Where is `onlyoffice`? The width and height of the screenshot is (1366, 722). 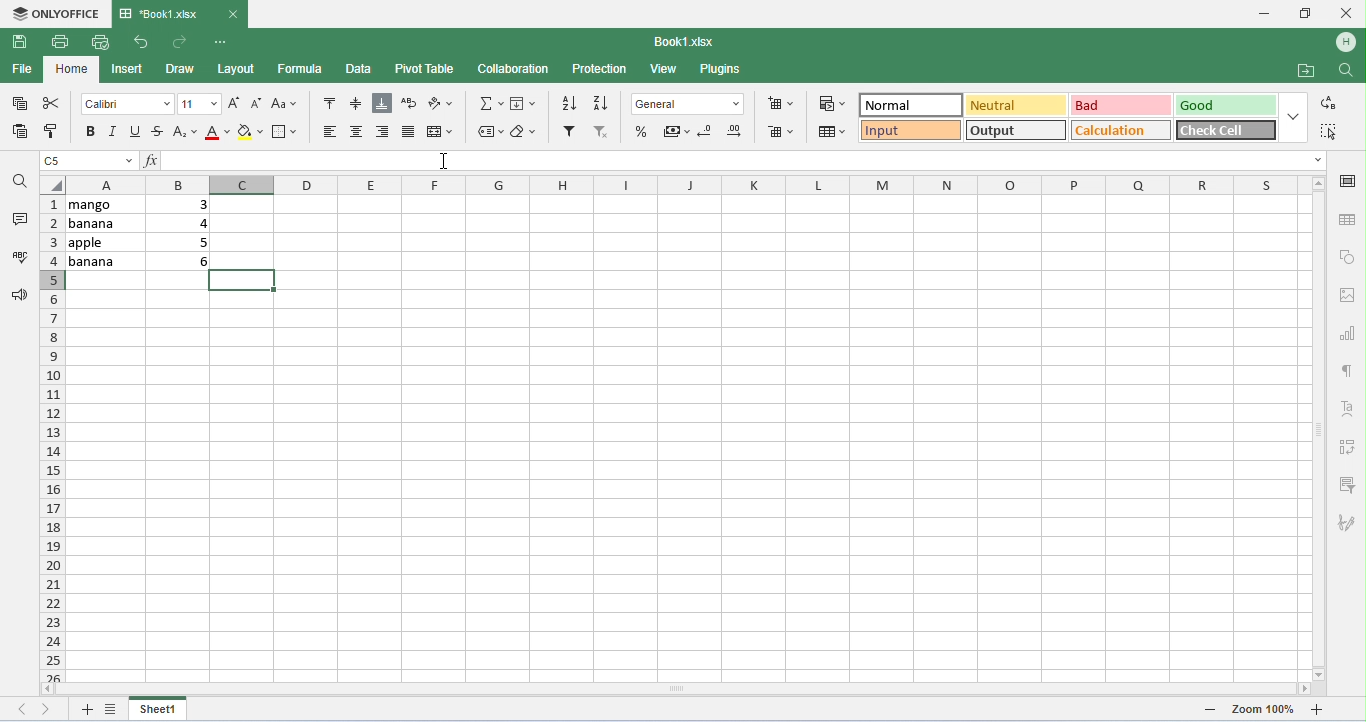
onlyoffice is located at coordinates (56, 14).